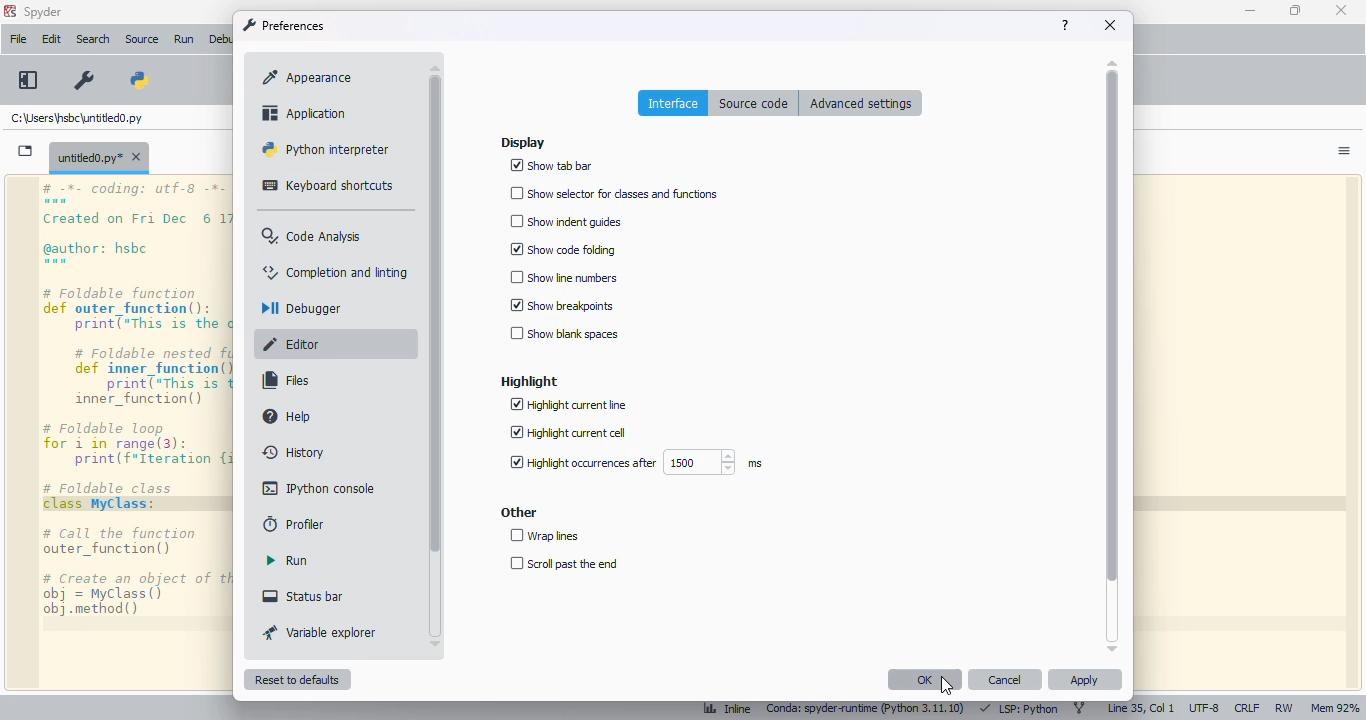 This screenshot has height=720, width=1366. I want to click on files, so click(289, 380).